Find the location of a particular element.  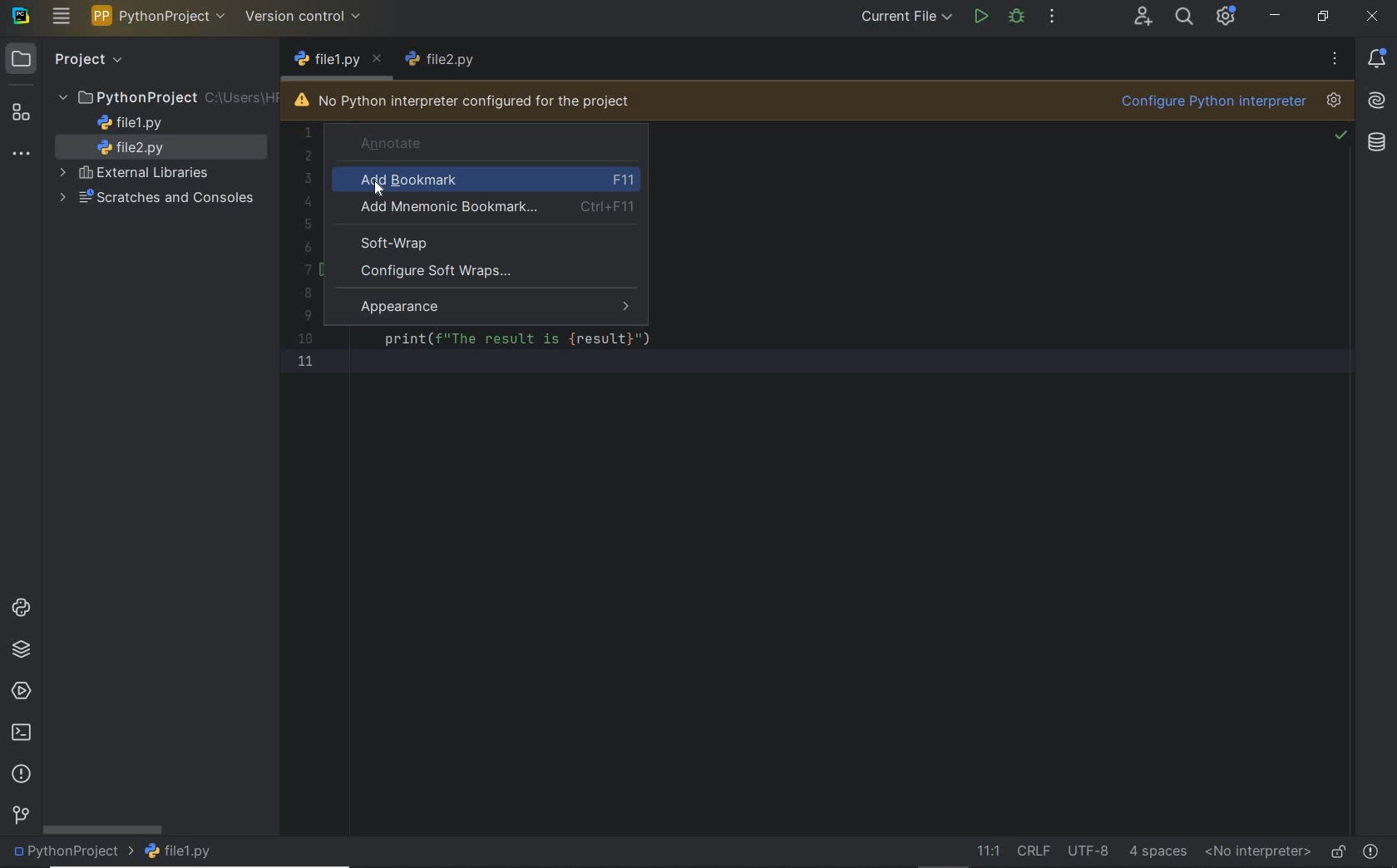

version control is located at coordinates (18, 816).